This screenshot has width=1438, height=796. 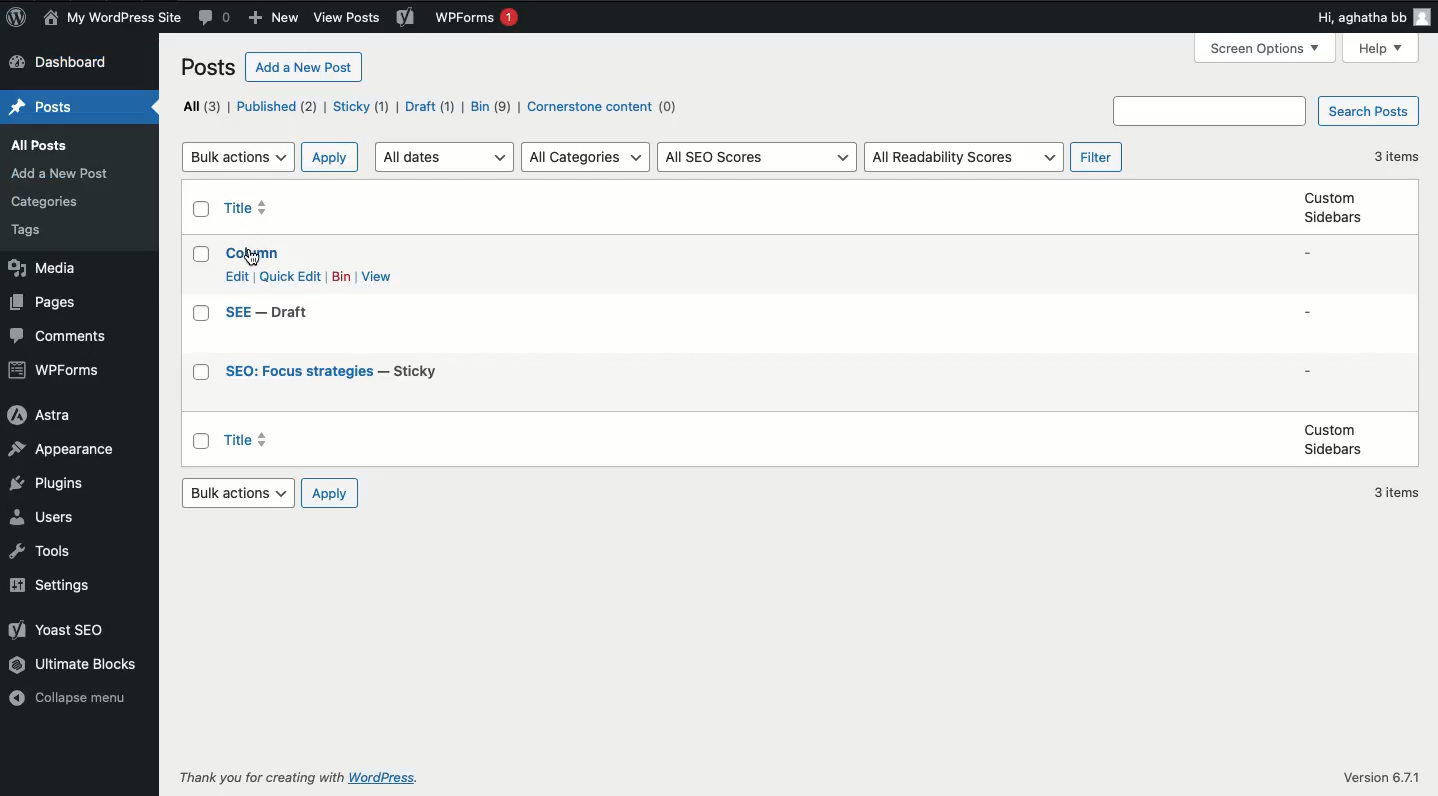 I want to click on Yoast, so click(x=57, y=630).